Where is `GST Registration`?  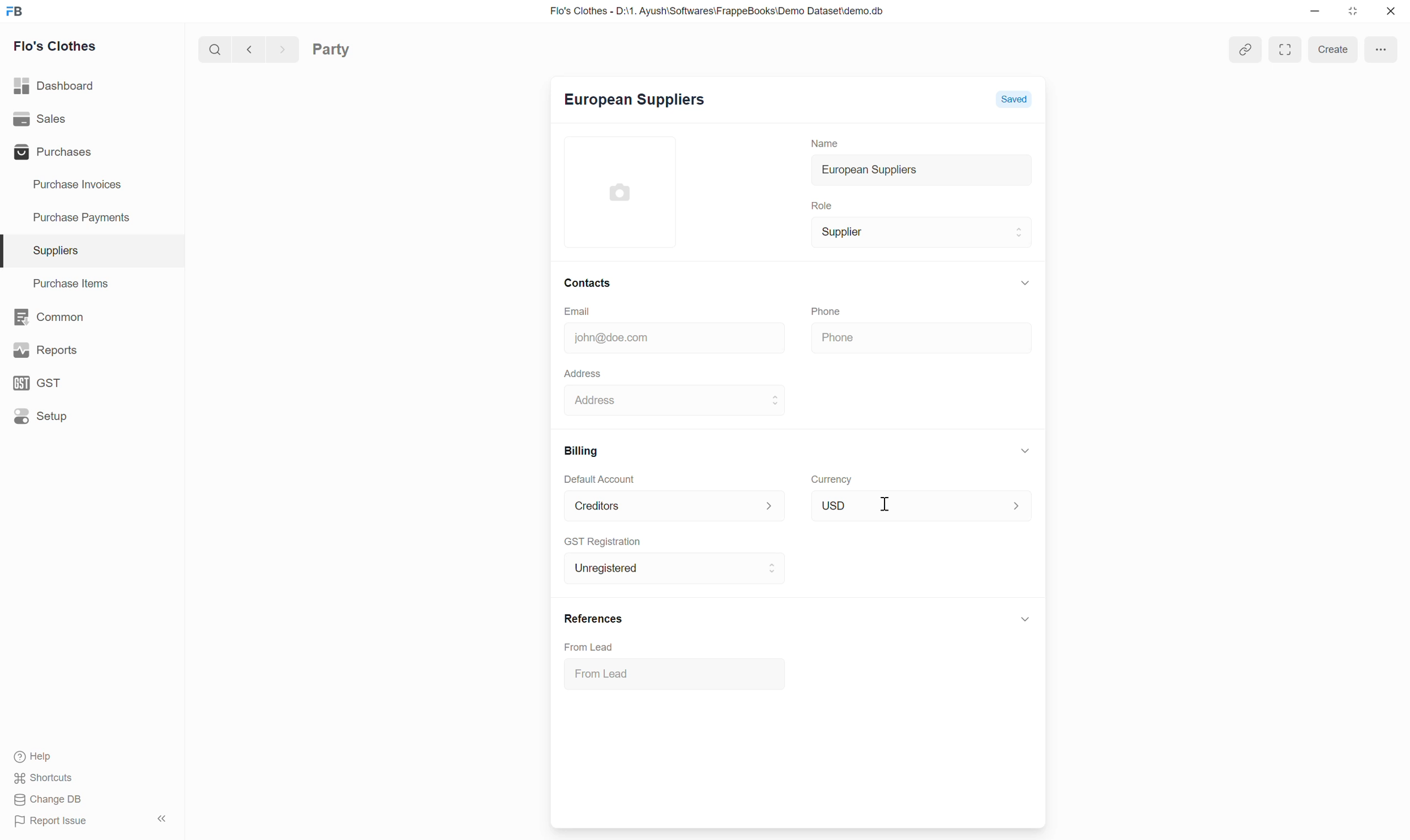
GST Registration is located at coordinates (609, 541).